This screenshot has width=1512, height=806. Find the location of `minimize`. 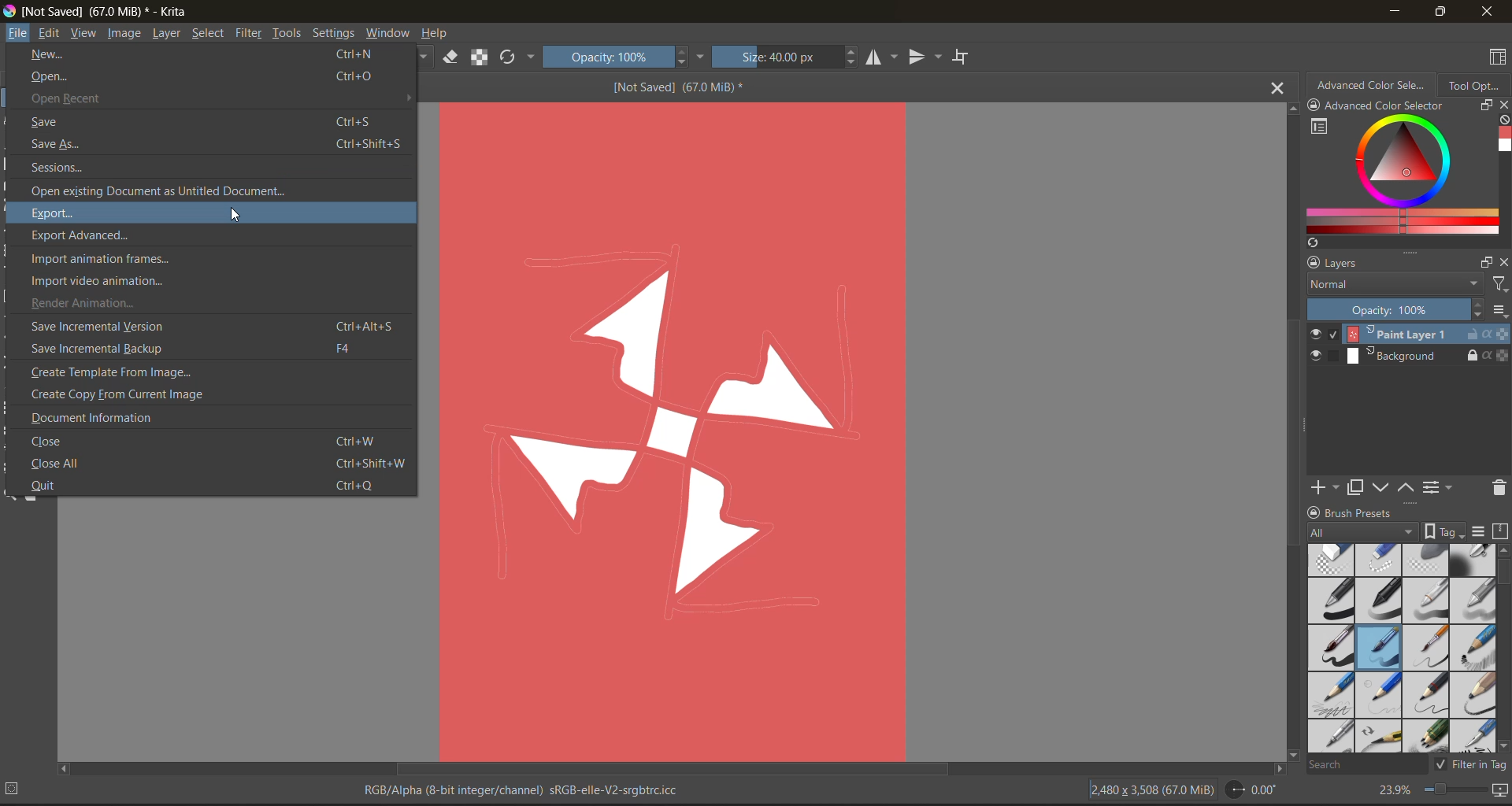

minimize is located at coordinates (1396, 14).